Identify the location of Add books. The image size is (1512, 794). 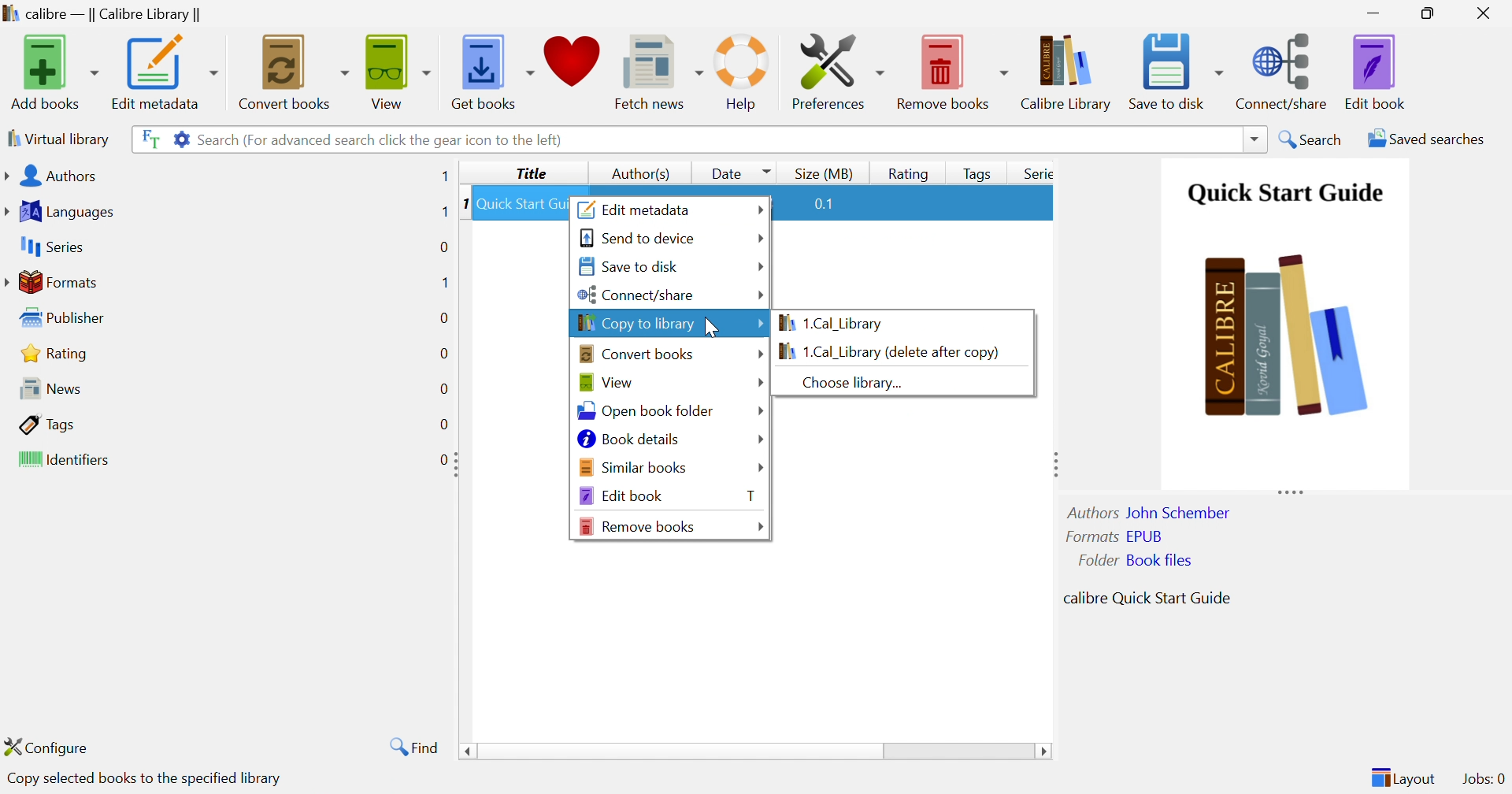
(54, 70).